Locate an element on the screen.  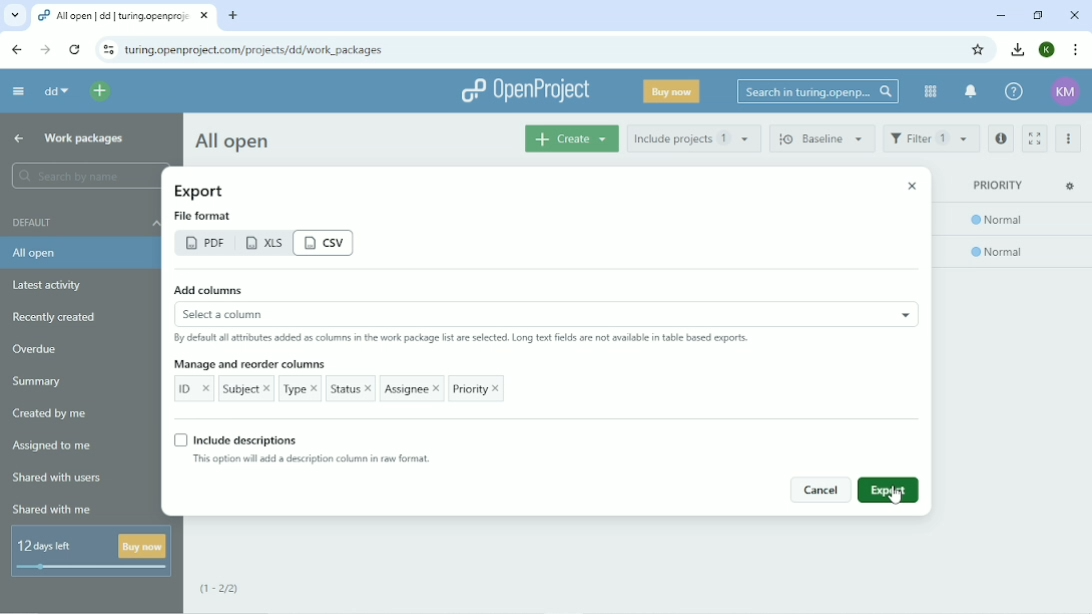
Latest activity is located at coordinates (53, 285).